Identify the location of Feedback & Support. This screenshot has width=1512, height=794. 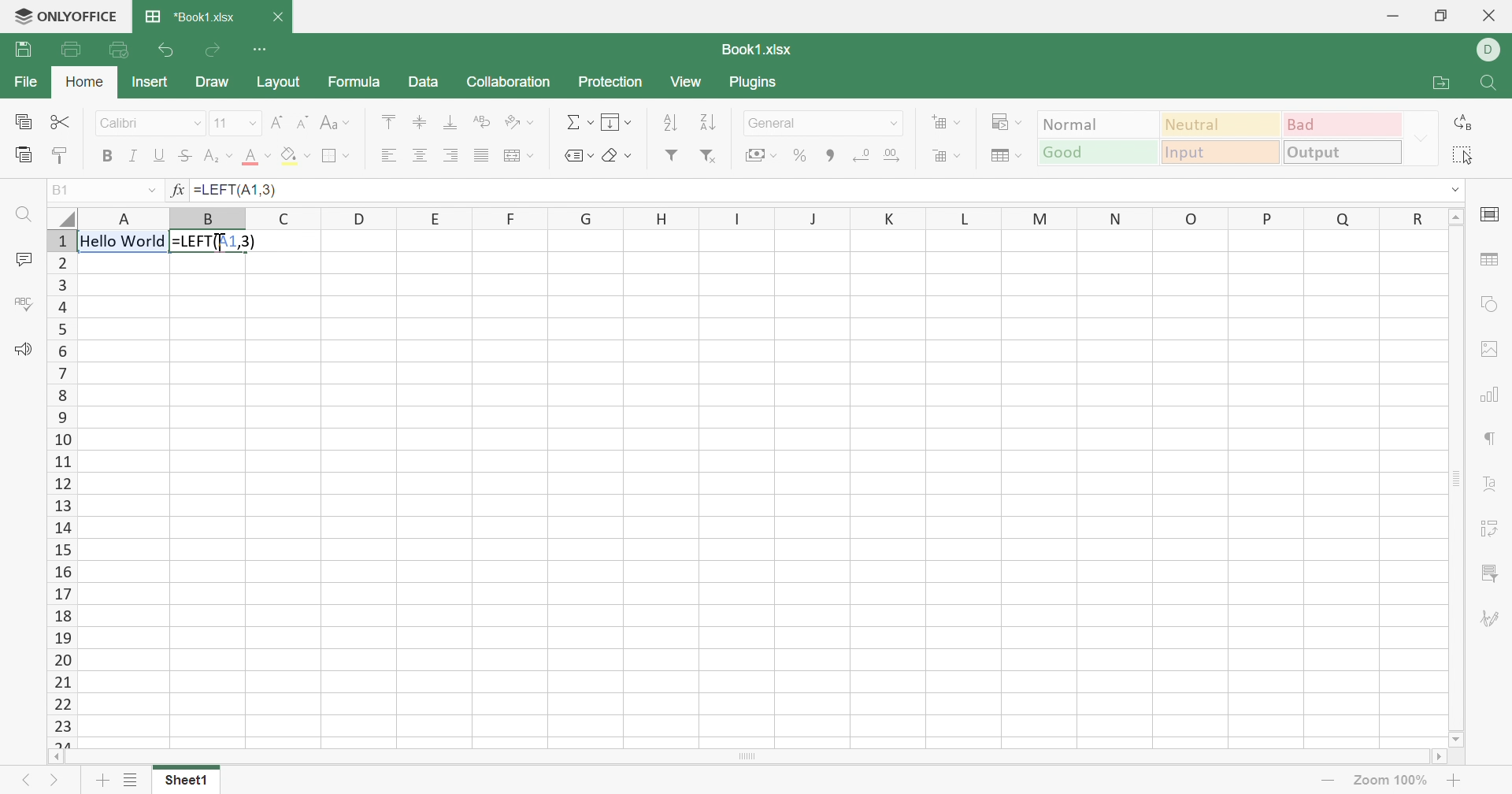
(24, 350).